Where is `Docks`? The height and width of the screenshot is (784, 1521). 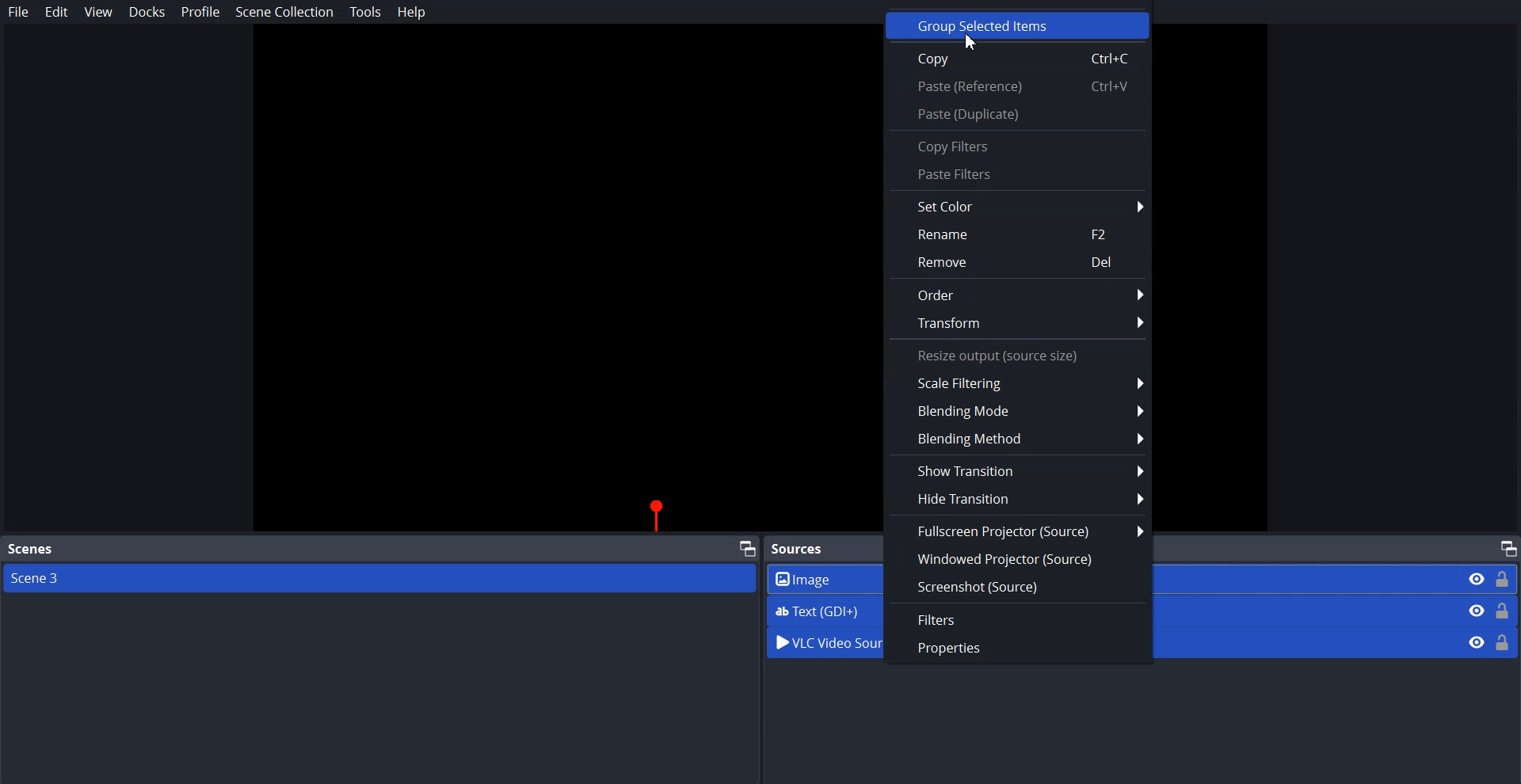 Docks is located at coordinates (147, 12).